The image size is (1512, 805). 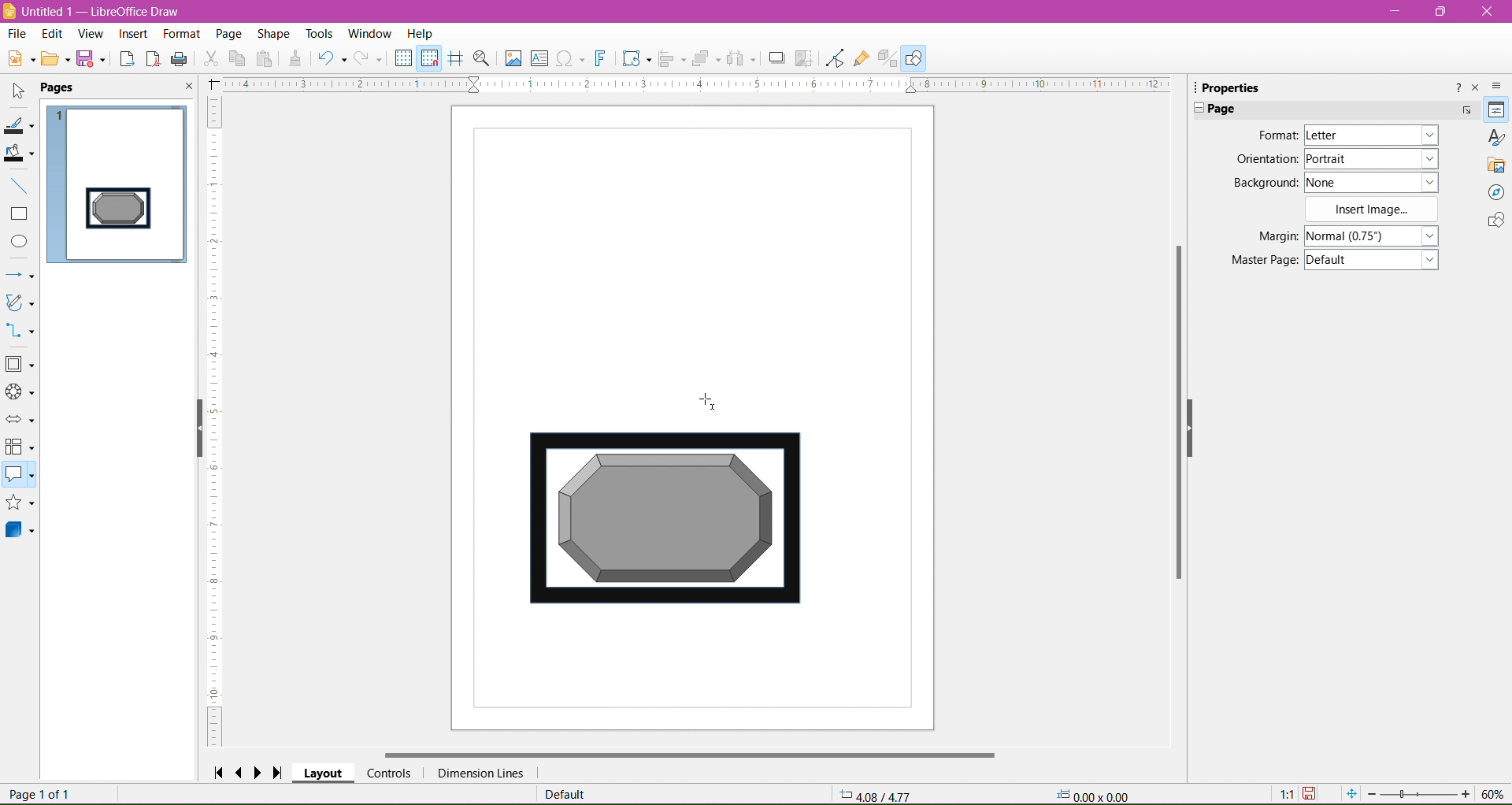 I want to click on Insert Line, so click(x=20, y=187).